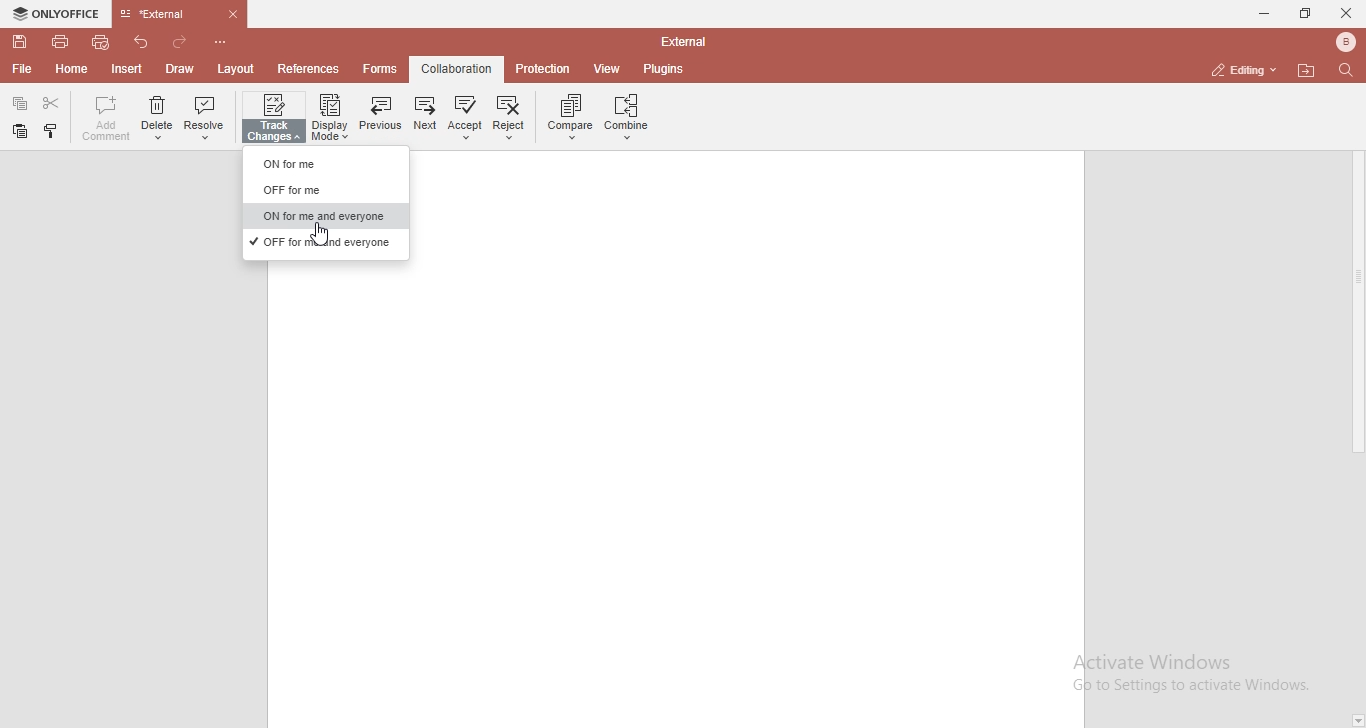 This screenshot has height=728, width=1366. Describe the element at coordinates (1348, 71) in the screenshot. I see `find` at that location.